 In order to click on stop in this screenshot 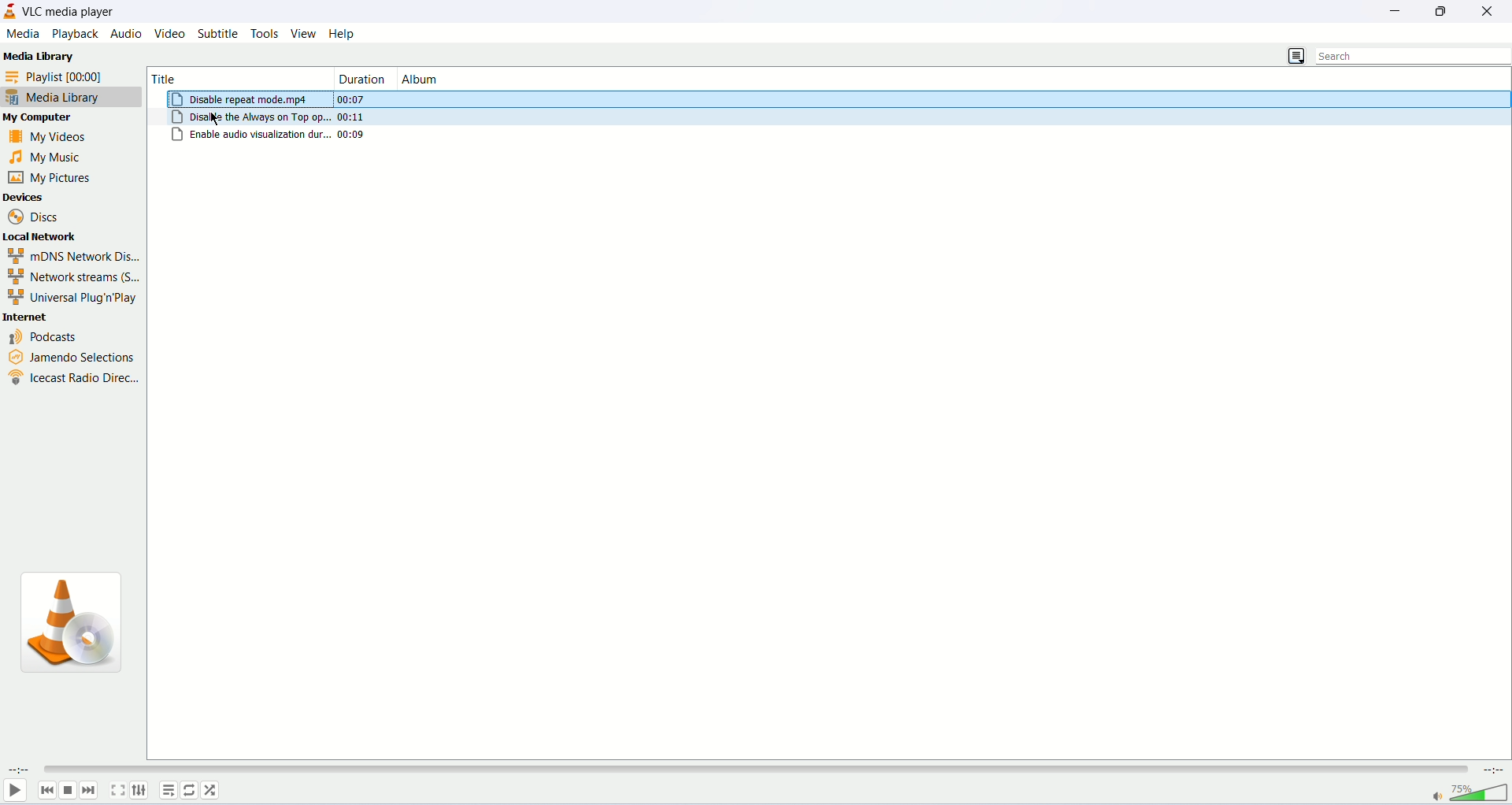, I will do `click(68, 791)`.